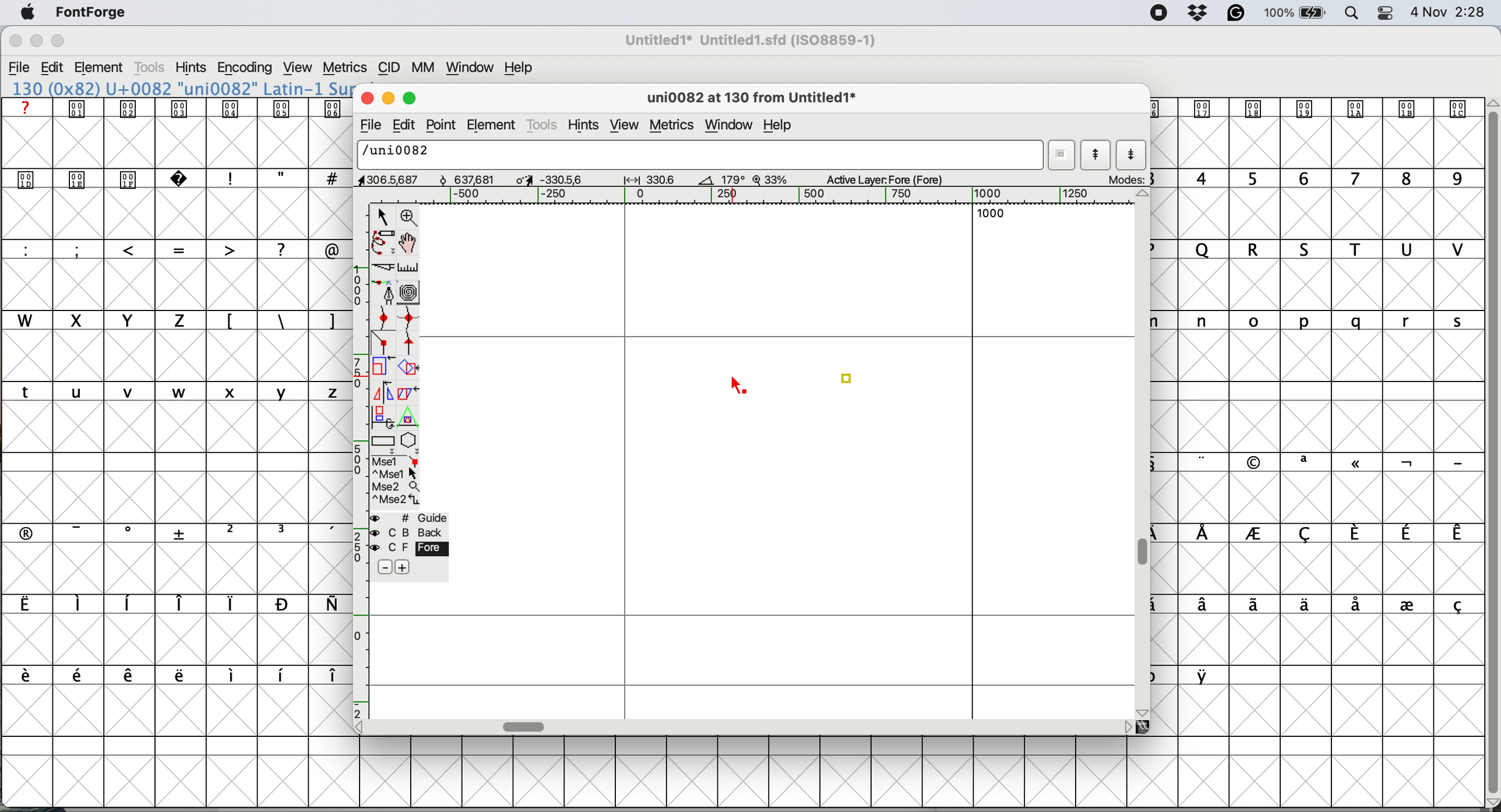 The height and width of the screenshot is (812, 1501). I want to click on add a corner point, so click(383, 344).